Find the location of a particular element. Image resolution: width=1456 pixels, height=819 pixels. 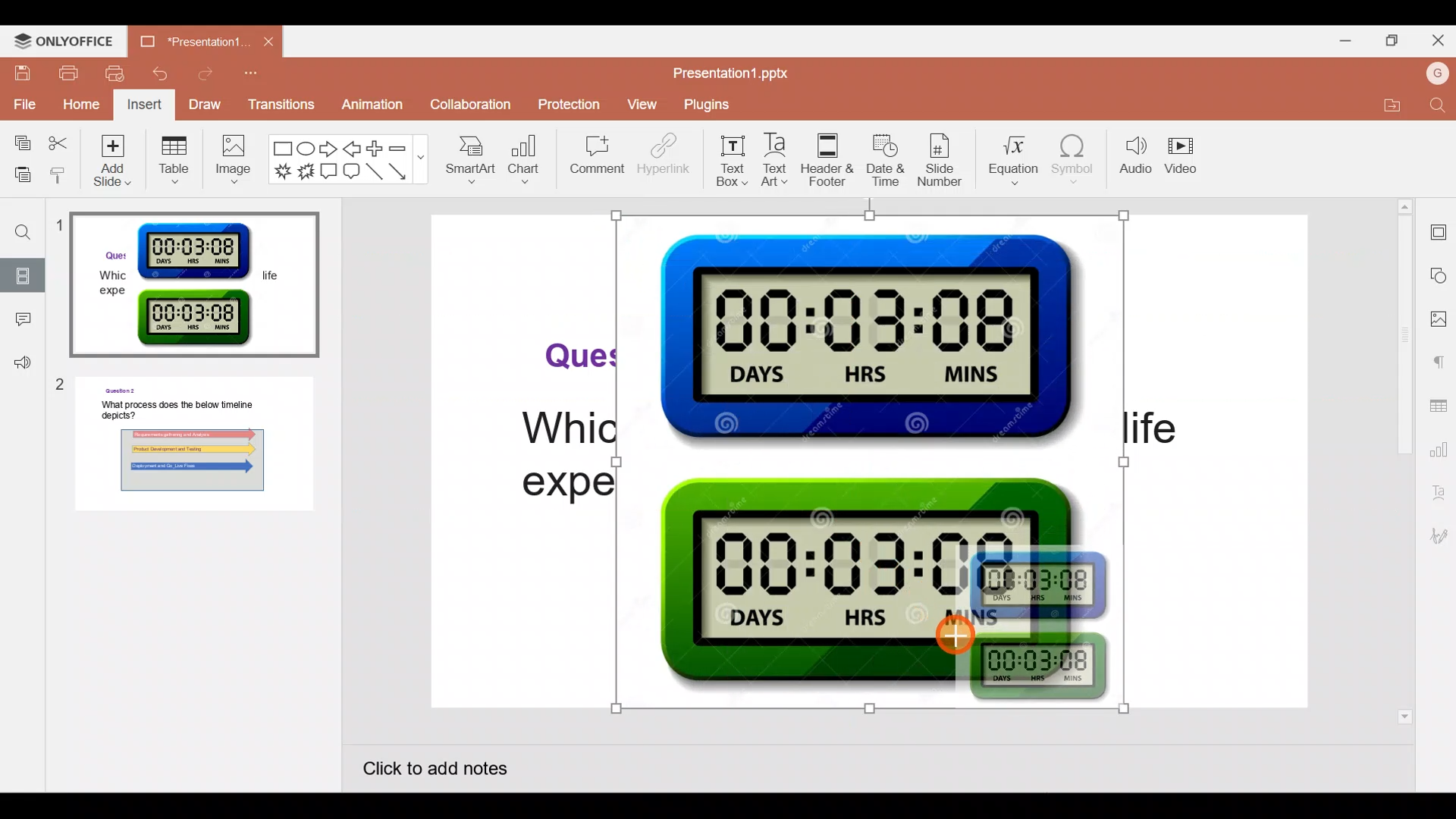

Inserted Timer Graphic is located at coordinates (871, 459).